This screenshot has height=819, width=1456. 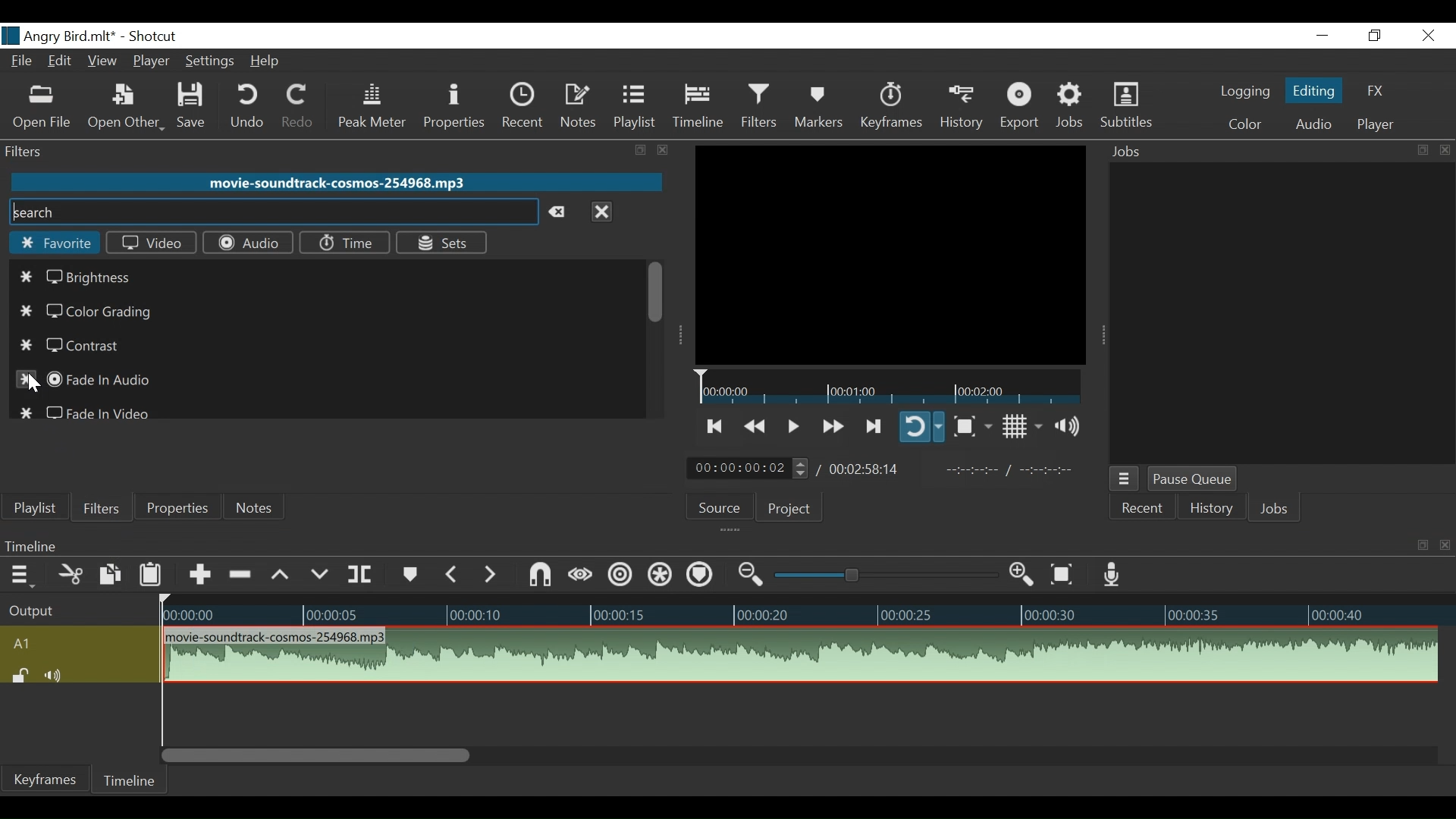 I want to click on Output, so click(x=74, y=607).